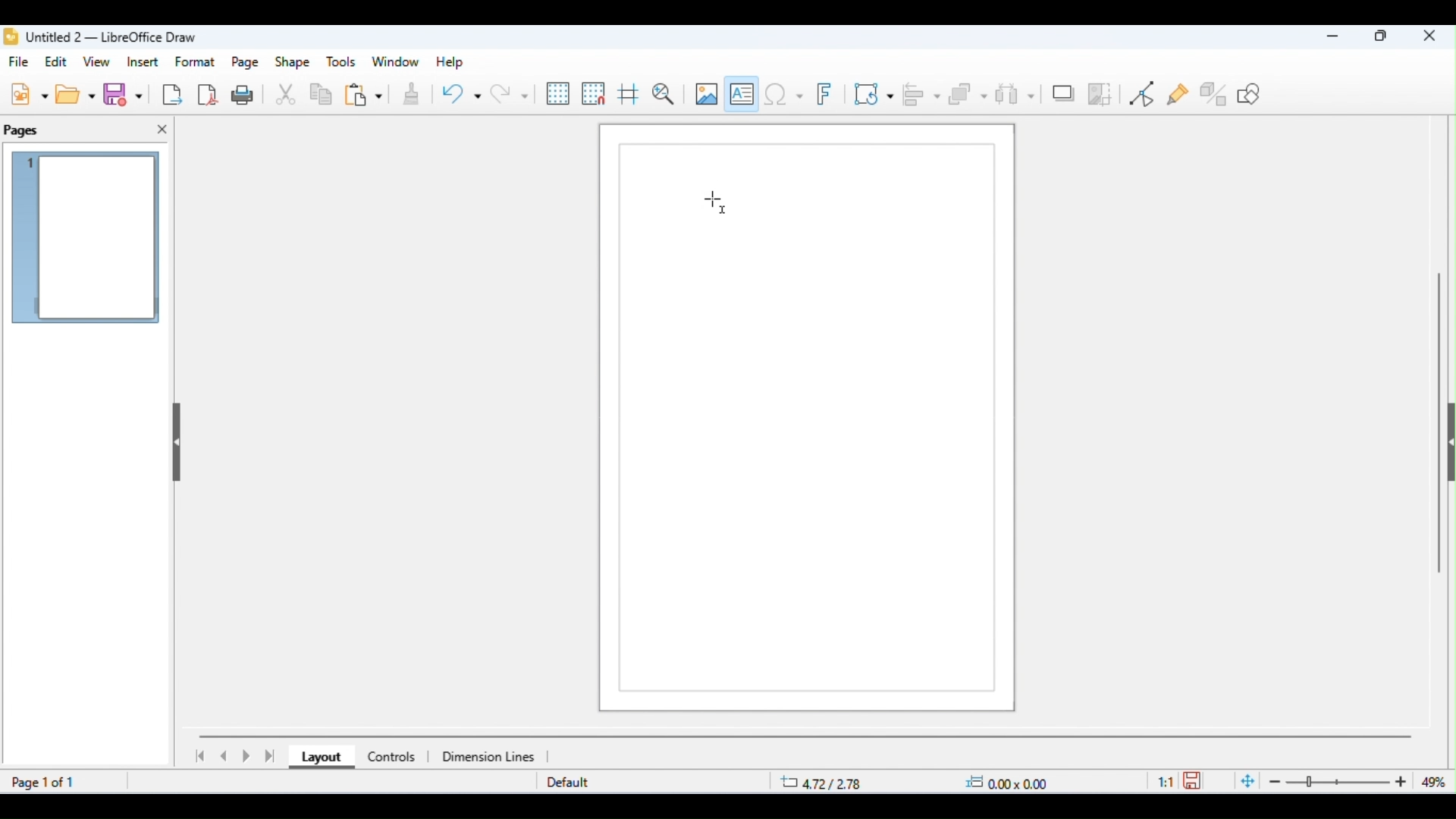  I want to click on save, so click(126, 95).